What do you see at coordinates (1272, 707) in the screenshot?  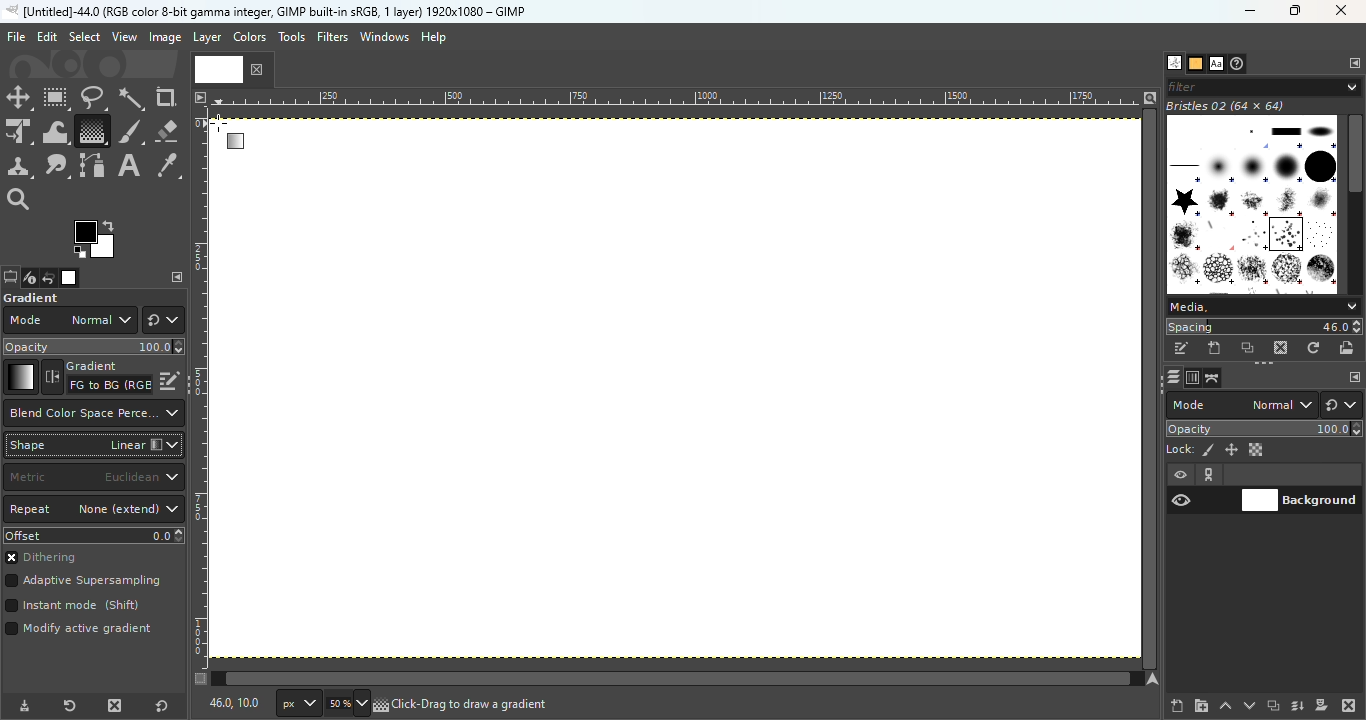 I see `Create a duplicate of the layer and add it to the image` at bounding box center [1272, 707].